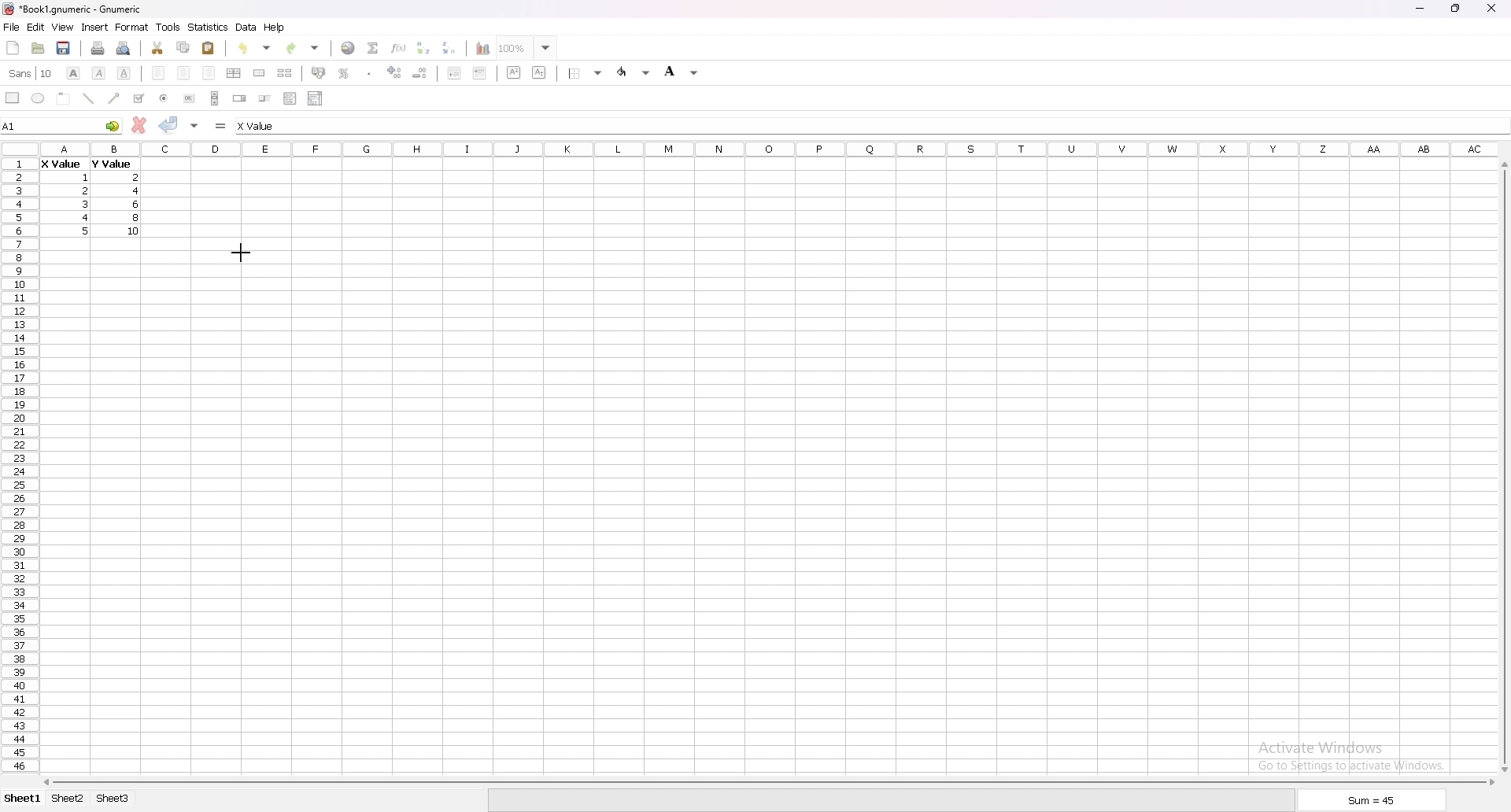 Image resolution: width=1511 pixels, height=812 pixels. What do you see at coordinates (72, 73) in the screenshot?
I see `bold` at bounding box center [72, 73].